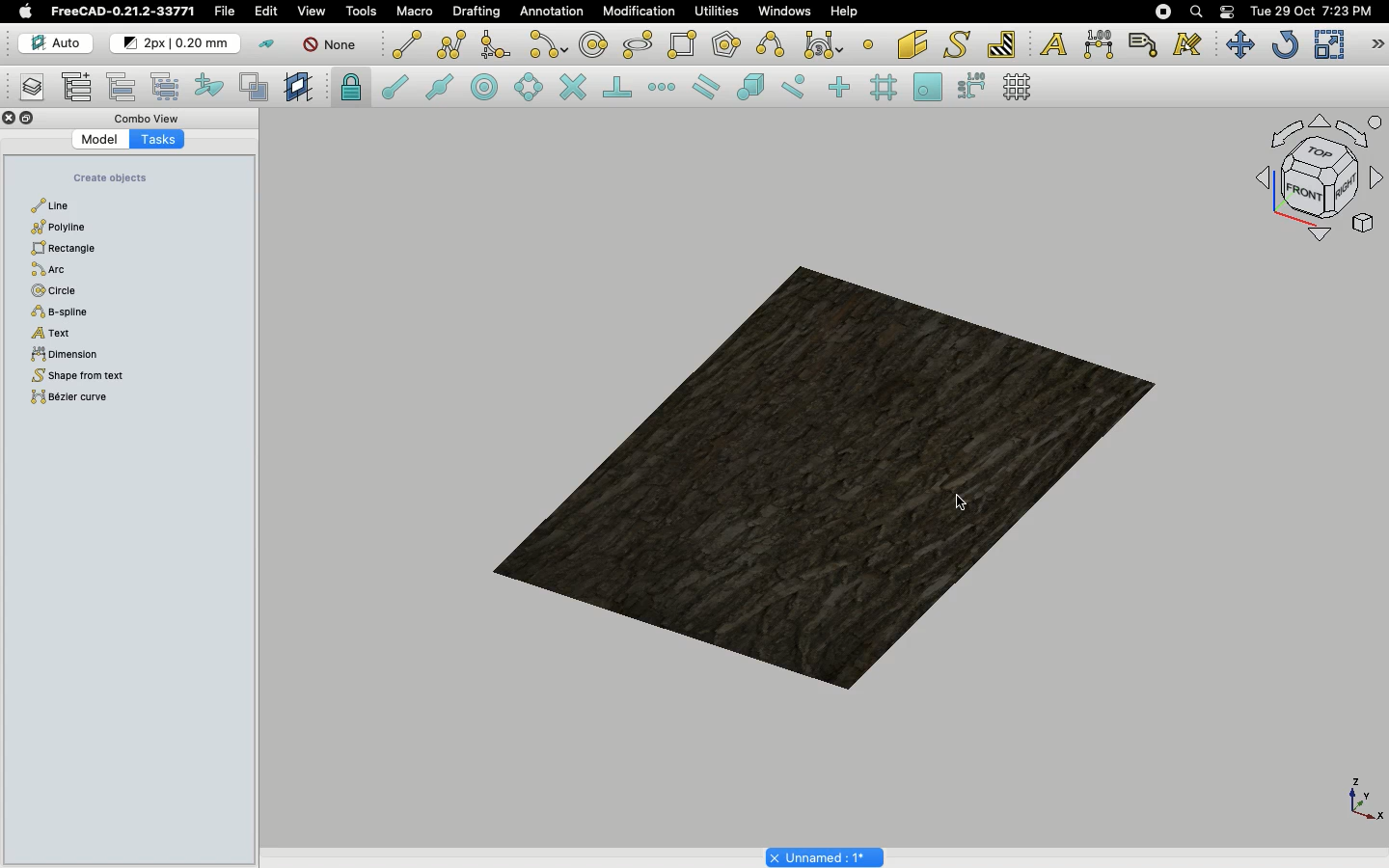 Image resolution: width=1389 pixels, height=868 pixels. I want to click on Move to group, so click(123, 86).